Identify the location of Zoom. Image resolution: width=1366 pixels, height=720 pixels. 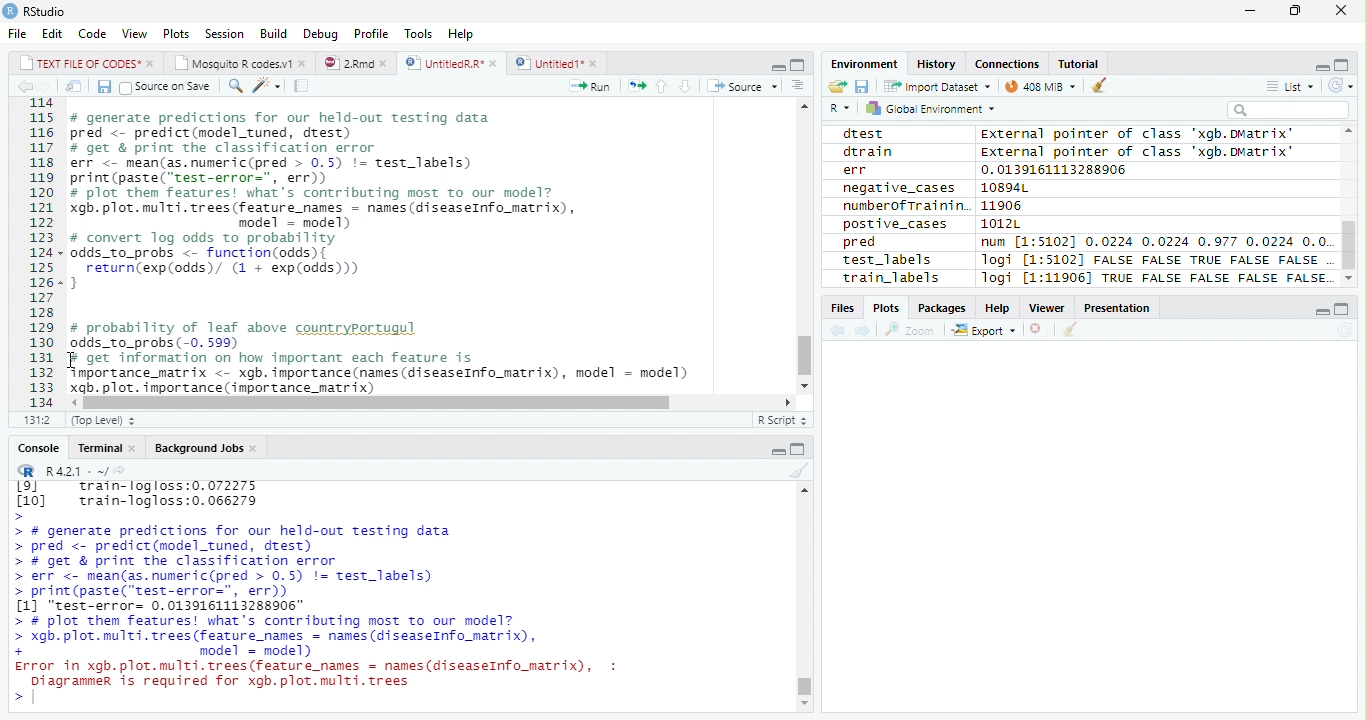
(911, 328).